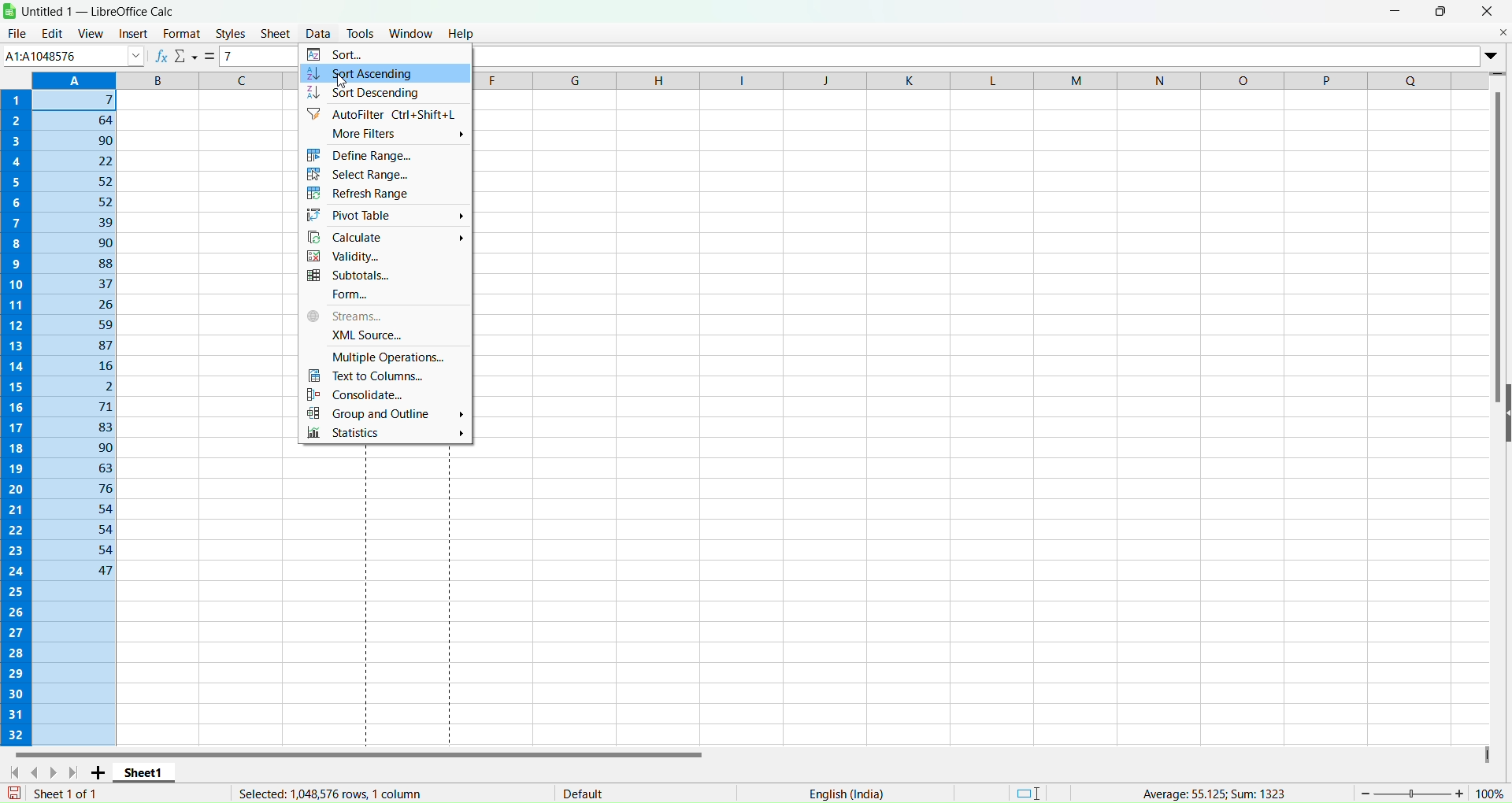 Image resolution: width=1512 pixels, height=803 pixels. Describe the element at coordinates (91, 31) in the screenshot. I see `View` at that location.